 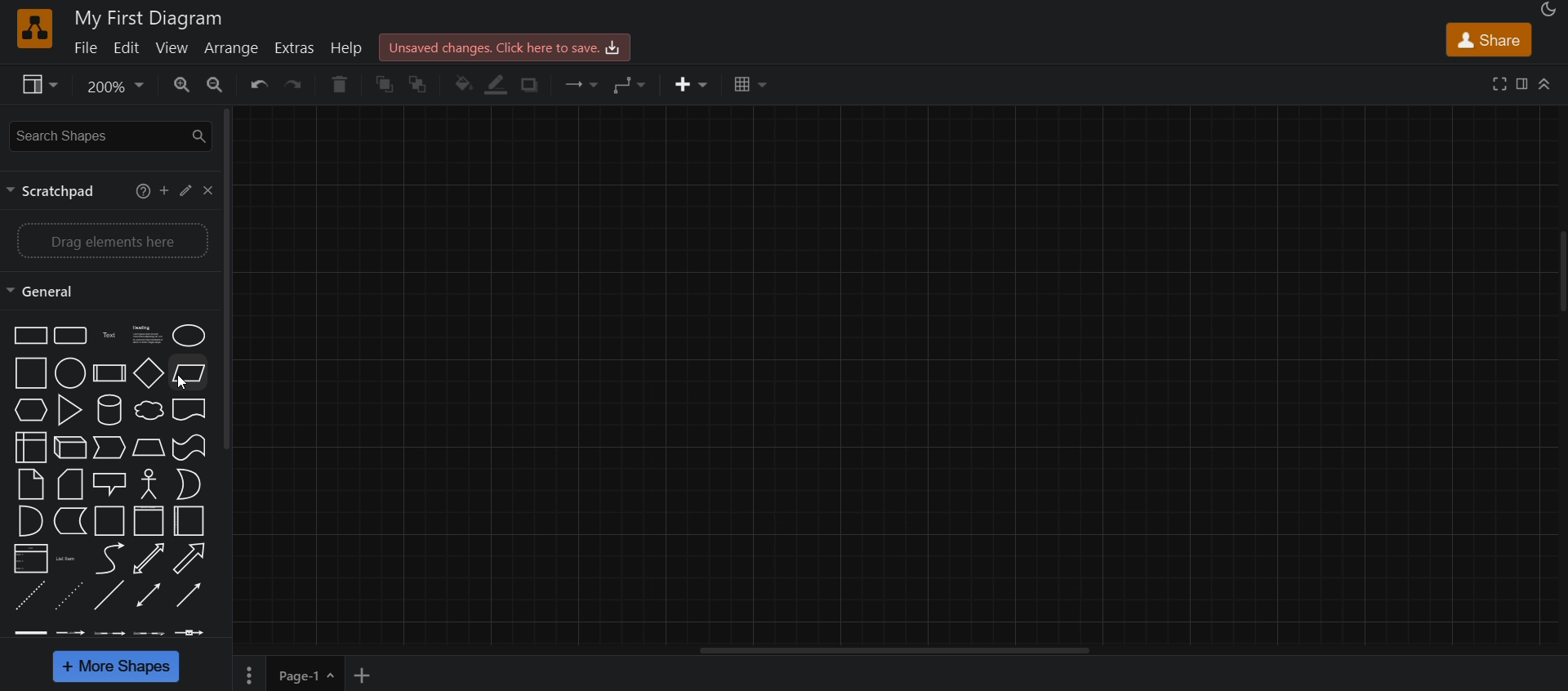 What do you see at coordinates (111, 480) in the screenshot?
I see `shapes` at bounding box center [111, 480].